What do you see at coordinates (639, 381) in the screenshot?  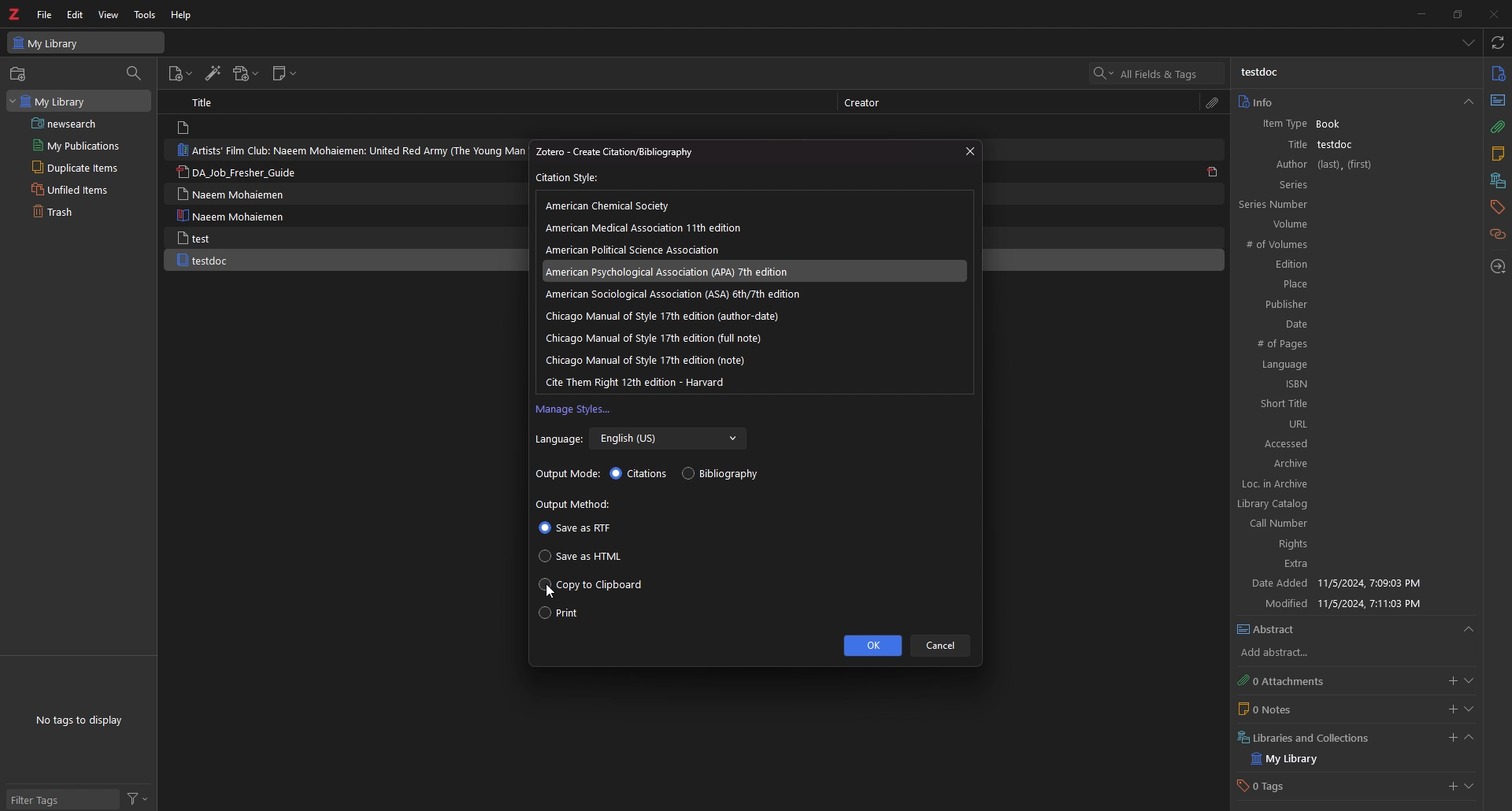 I see `cite them right 12th edition harvard` at bounding box center [639, 381].